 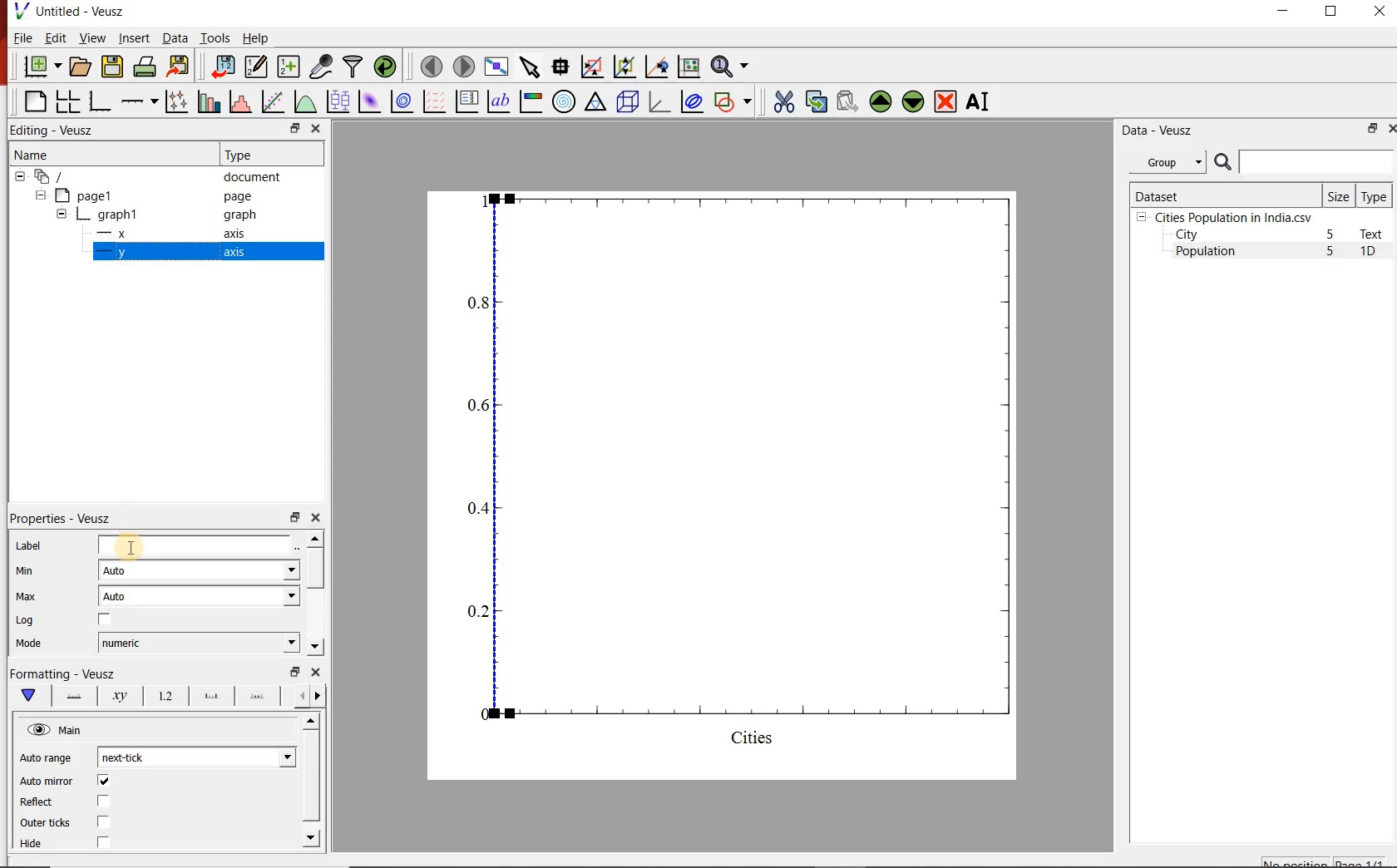 What do you see at coordinates (254, 67) in the screenshot?
I see `edit and enter new datasets` at bounding box center [254, 67].